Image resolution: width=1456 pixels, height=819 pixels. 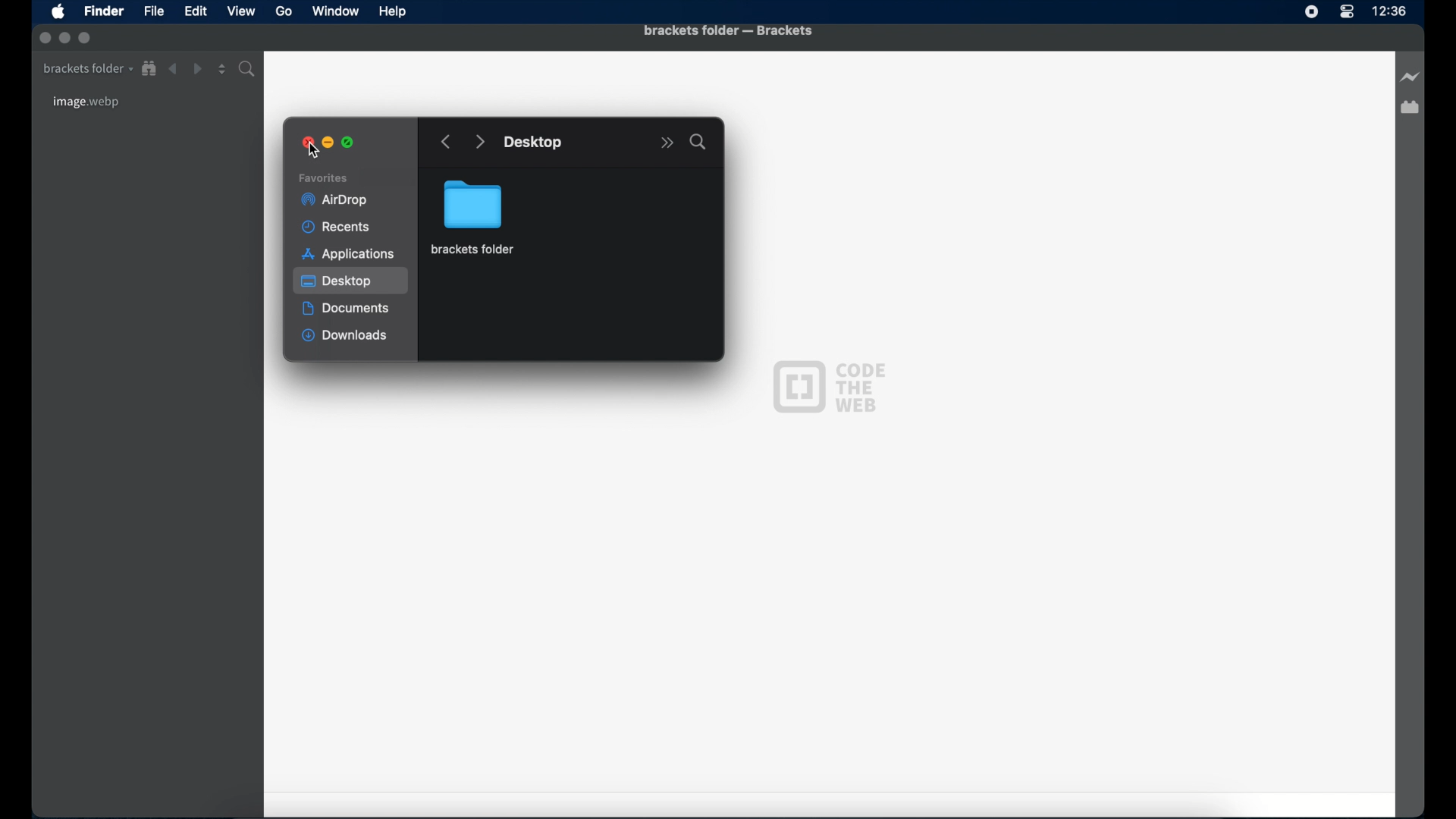 What do you see at coordinates (1347, 12) in the screenshot?
I see `control center` at bounding box center [1347, 12].